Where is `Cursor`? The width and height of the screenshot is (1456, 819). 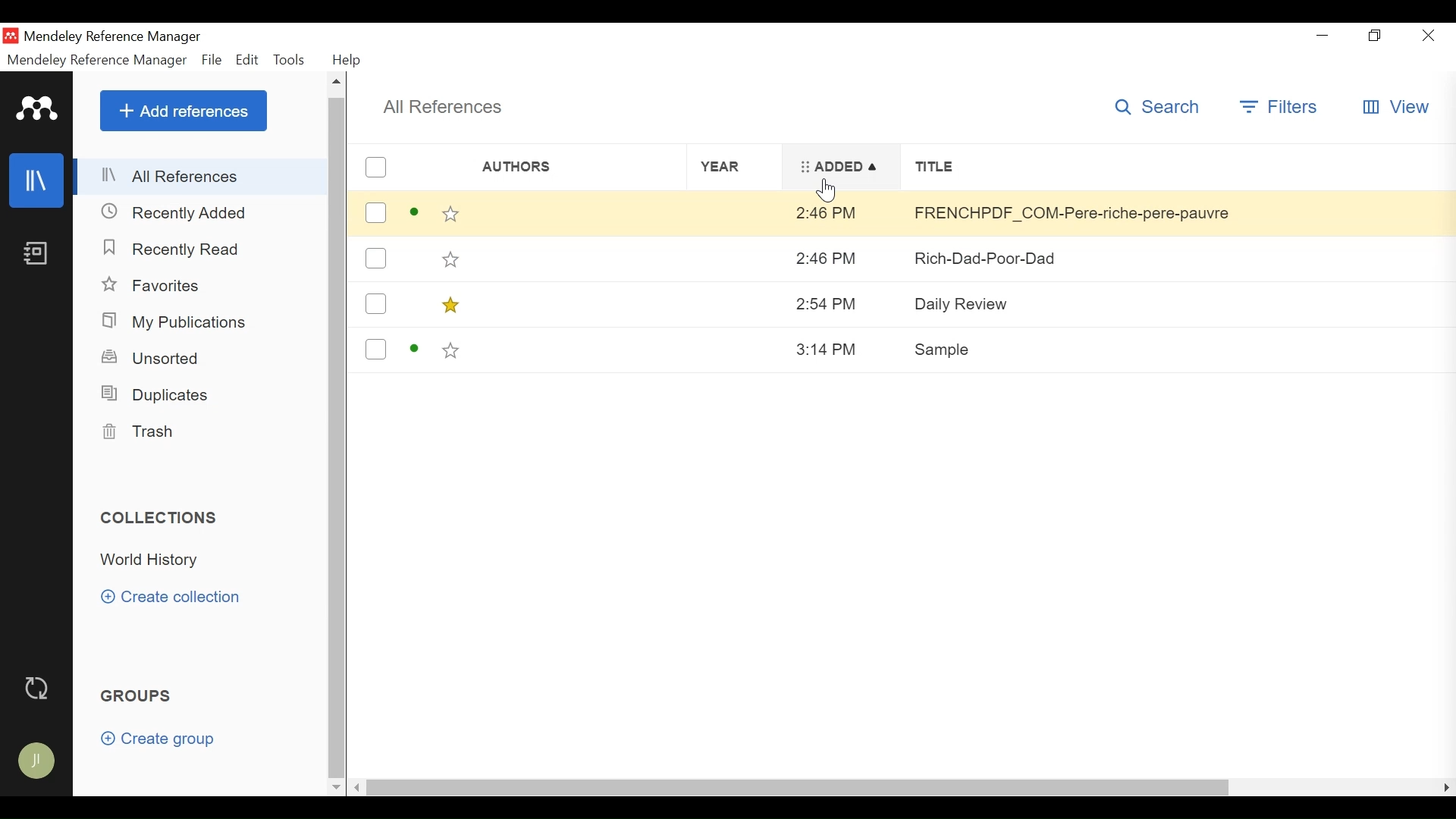 Cursor is located at coordinates (829, 190).